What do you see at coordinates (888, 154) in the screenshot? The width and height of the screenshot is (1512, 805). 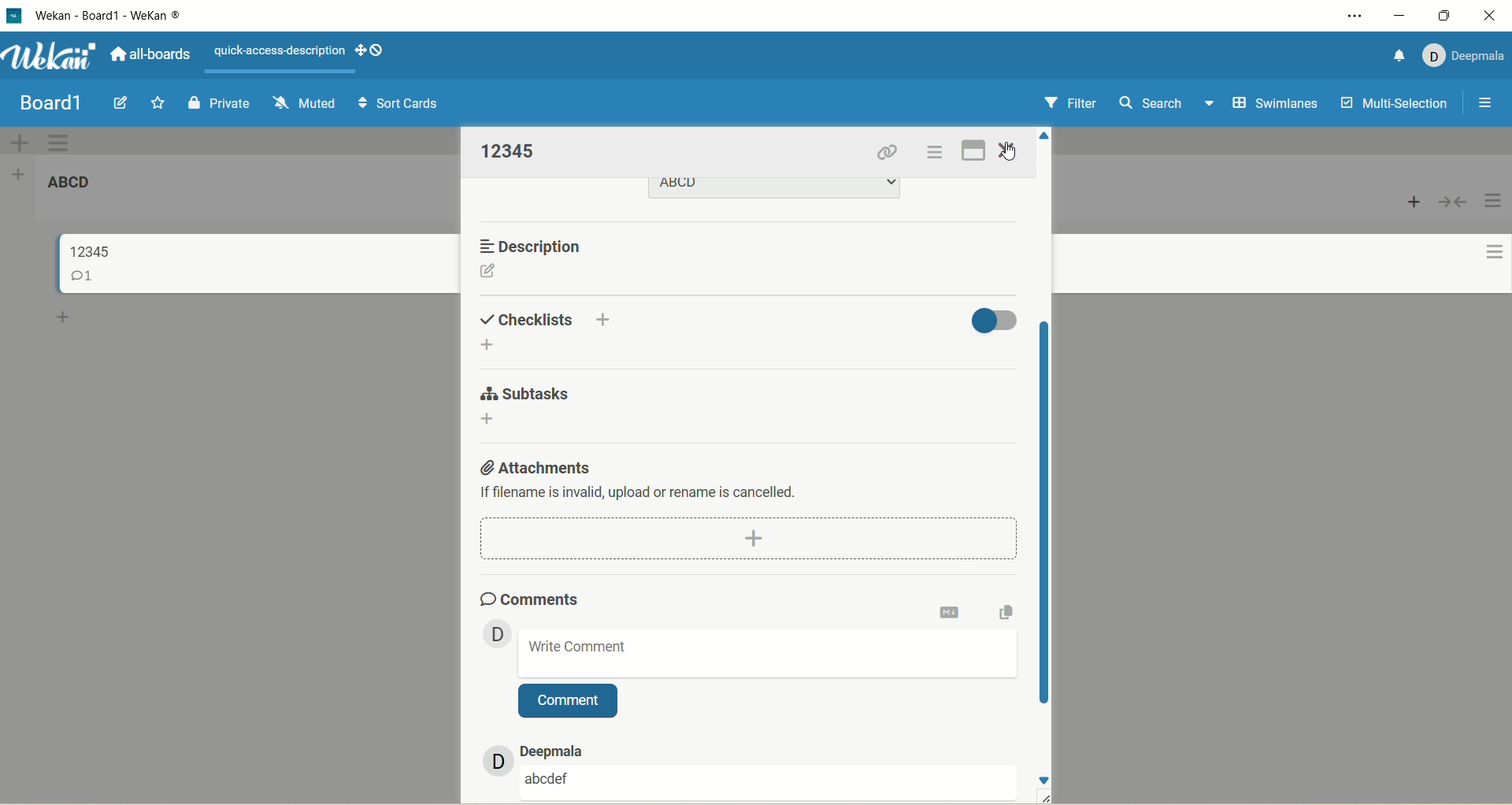 I see `copy card link to clipboard` at bounding box center [888, 154].